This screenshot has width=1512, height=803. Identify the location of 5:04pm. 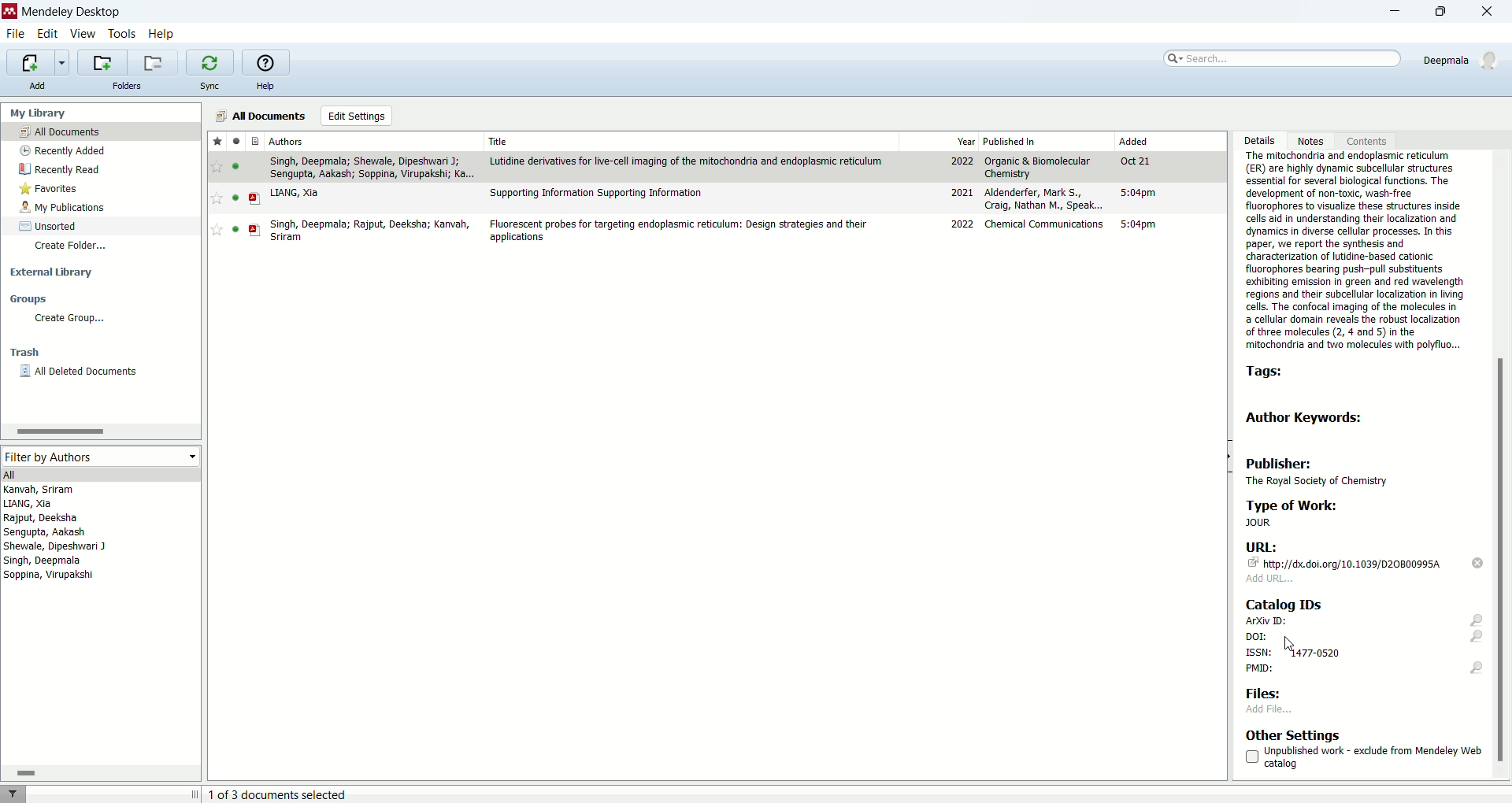
(1139, 192).